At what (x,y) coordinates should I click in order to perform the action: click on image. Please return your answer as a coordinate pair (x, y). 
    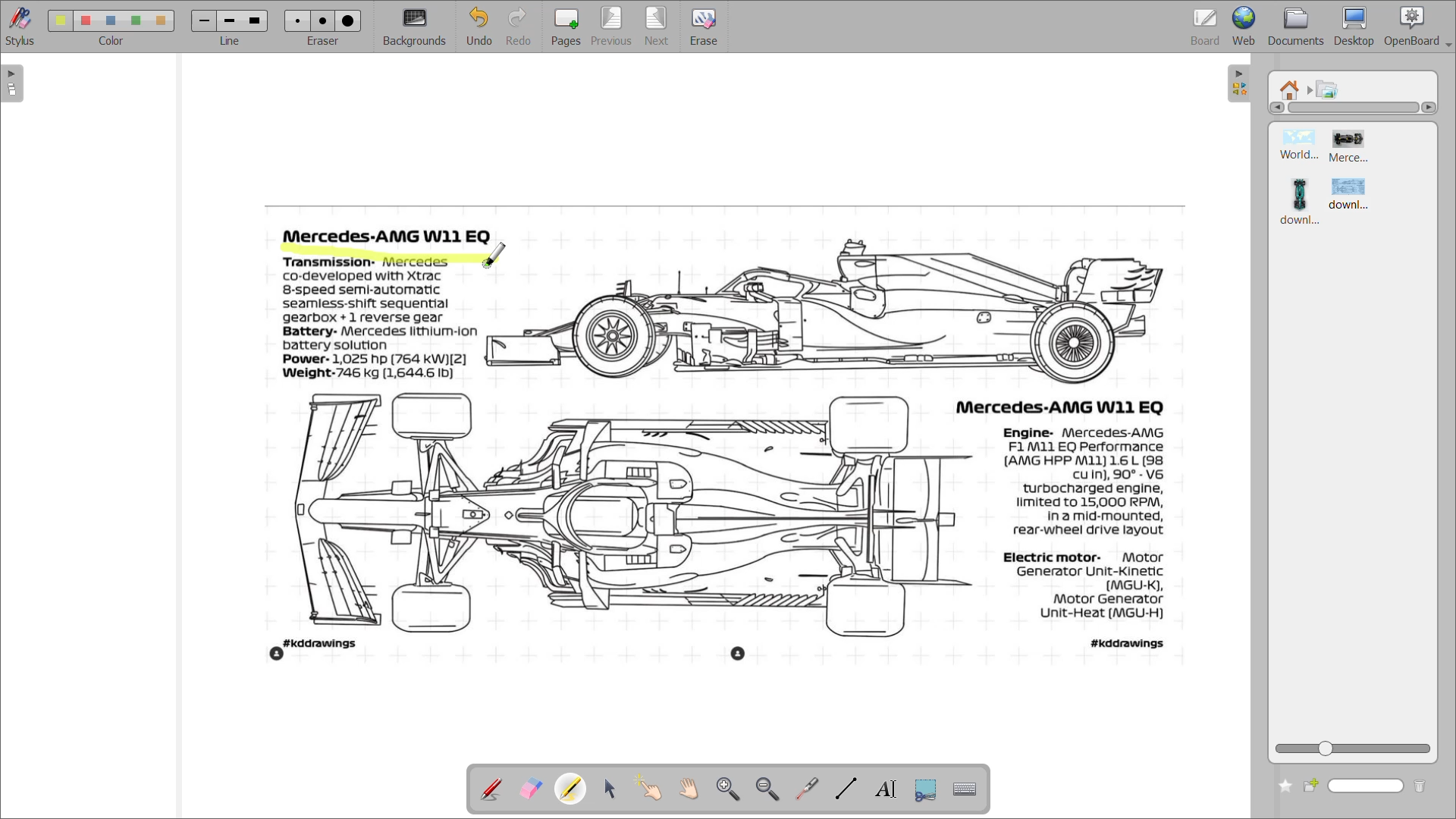
    Looking at the image, I should click on (714, 436).